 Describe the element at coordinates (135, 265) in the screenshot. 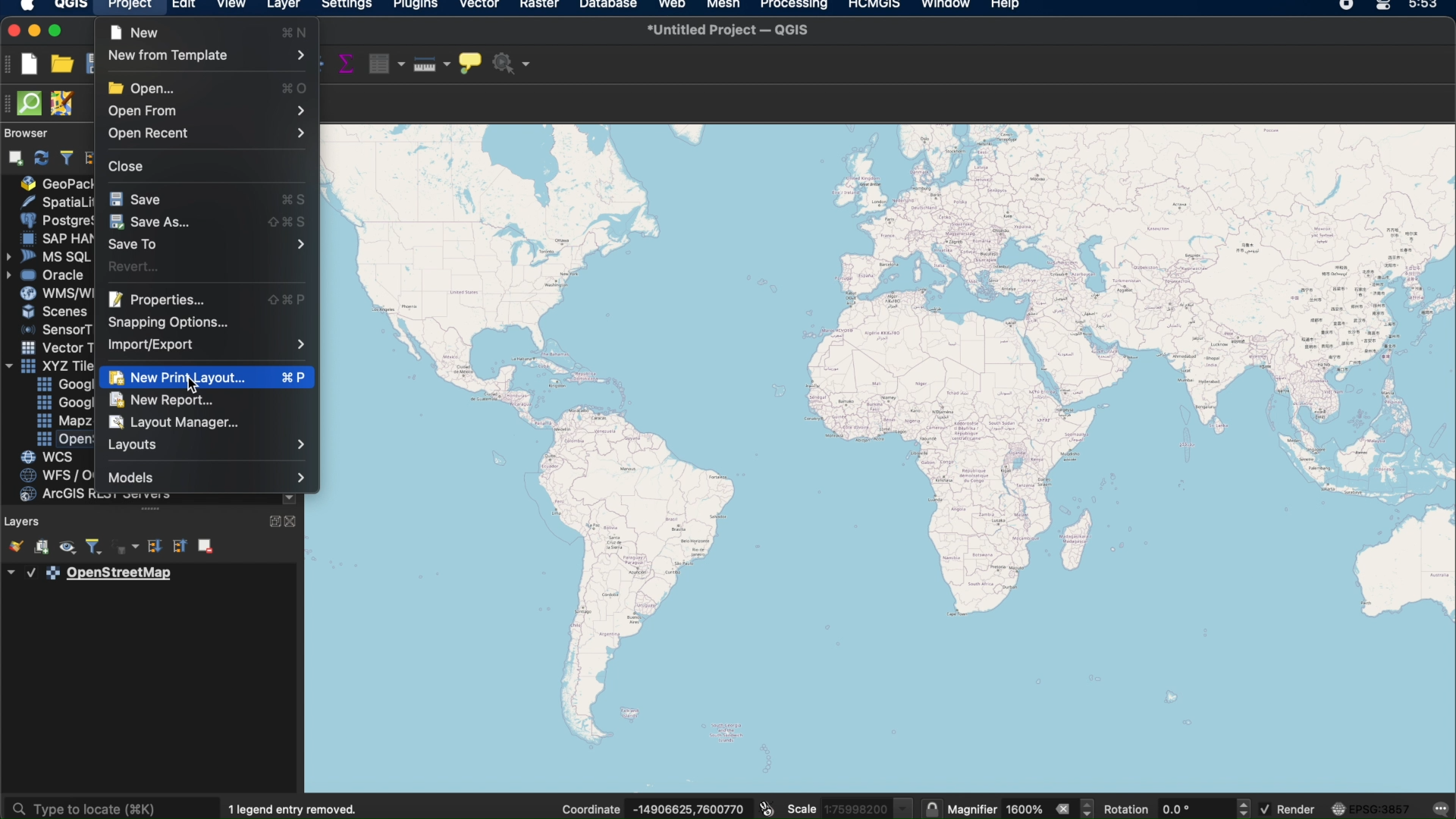

I see `Revert...` at that location.